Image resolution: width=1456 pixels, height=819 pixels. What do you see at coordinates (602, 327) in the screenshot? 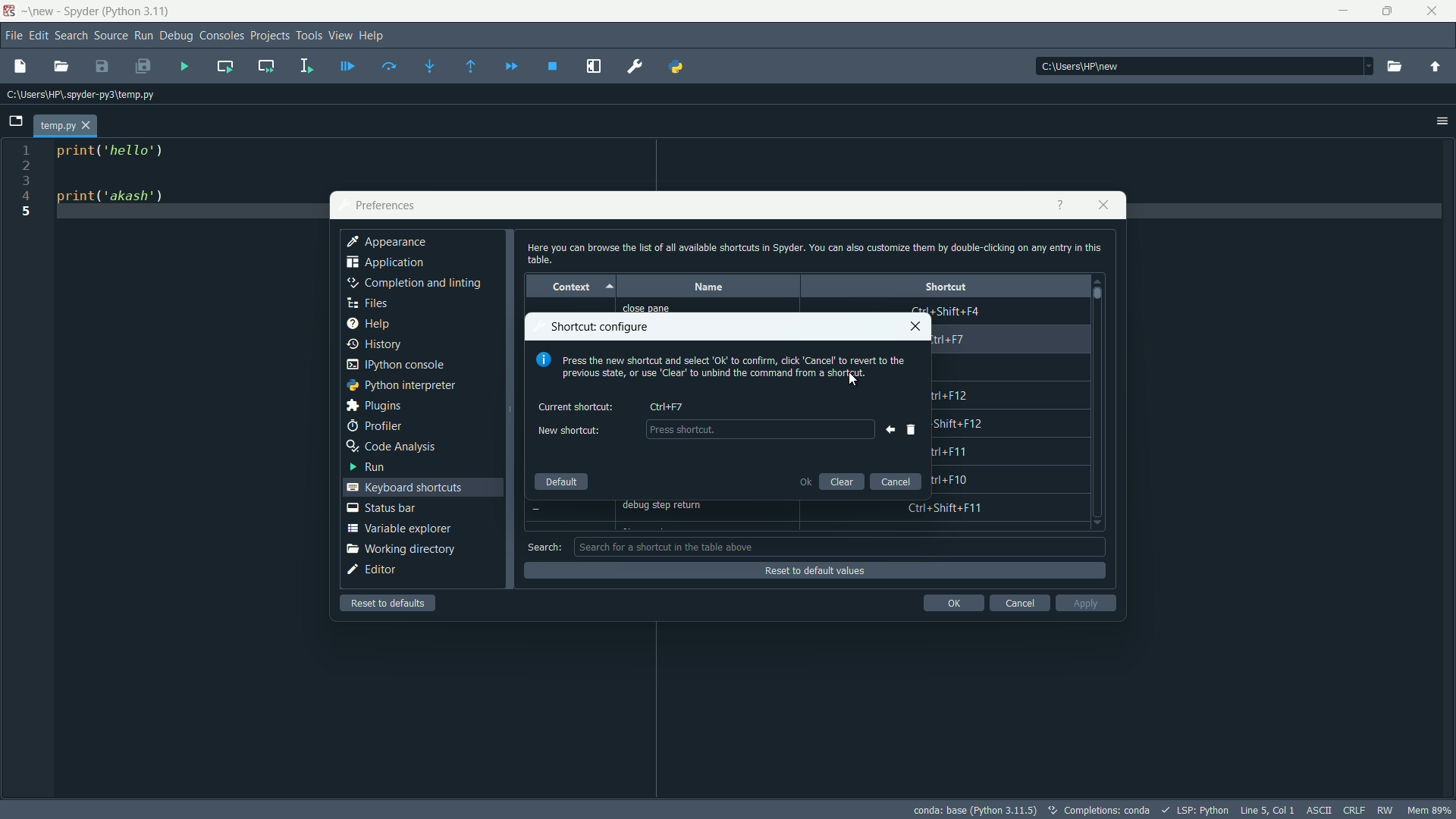
I see `shortcut configure` at bounding box center [602, 327].